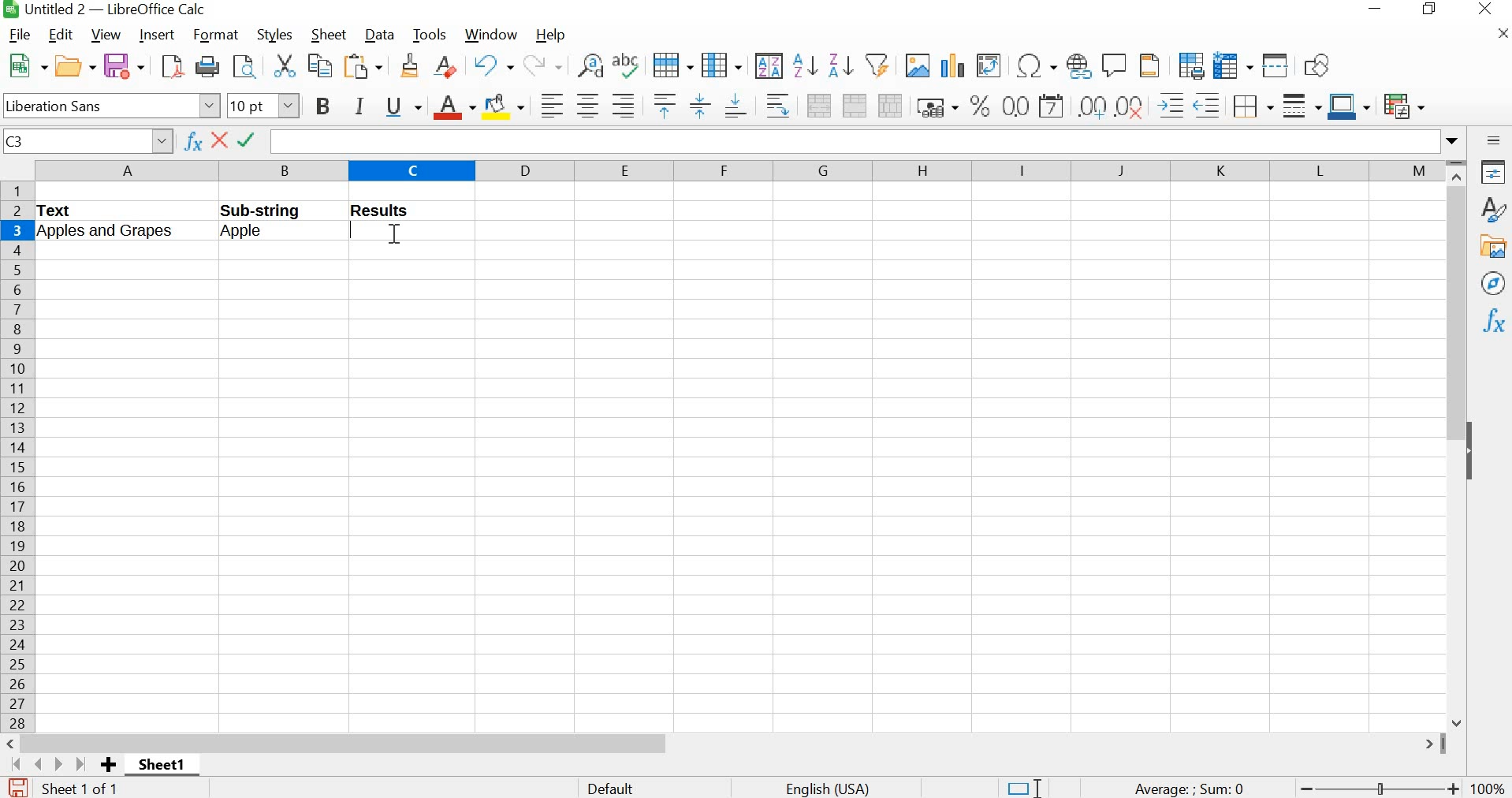  What do you see at coordinates (1492, 247) in the screenshot?
I see `gallery` at bounding box center [1492, 247].